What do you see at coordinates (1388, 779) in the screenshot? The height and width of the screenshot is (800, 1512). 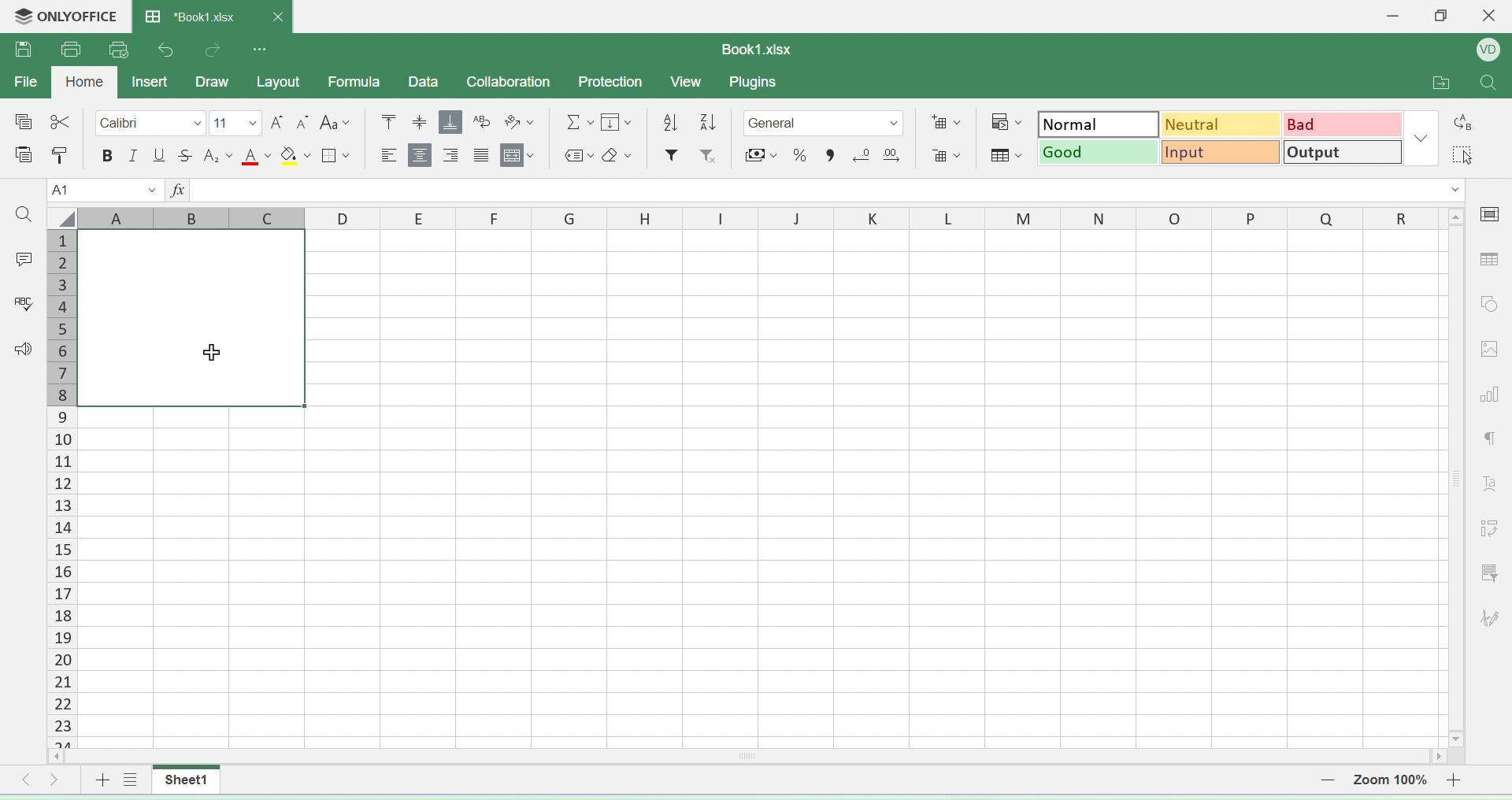 I see `zoom number` at bounding box center [1388, 779].